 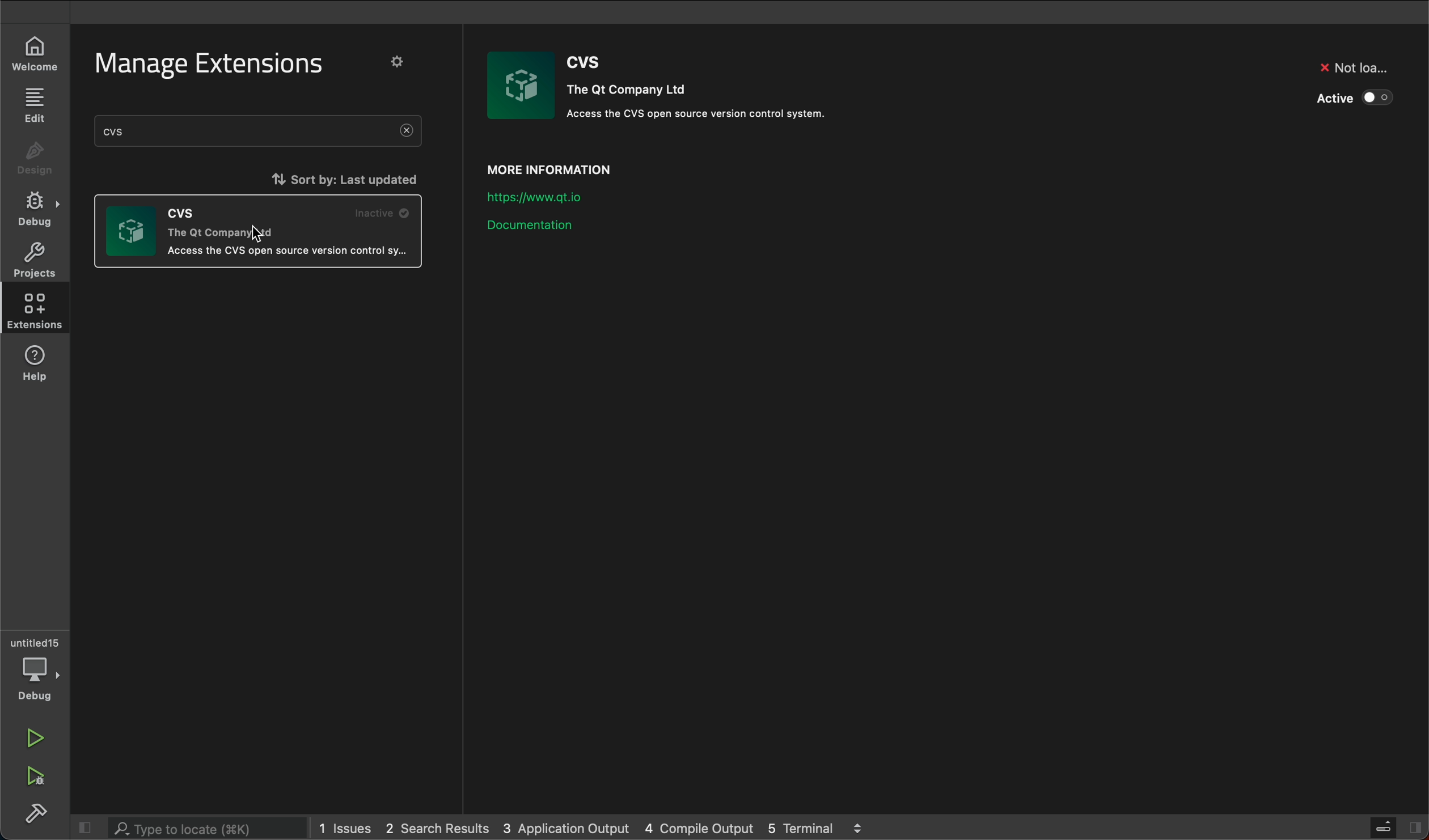 What do you see at coordinates (40, 364) in the screenshot?
I see `help` at bounding box center [40, 364].